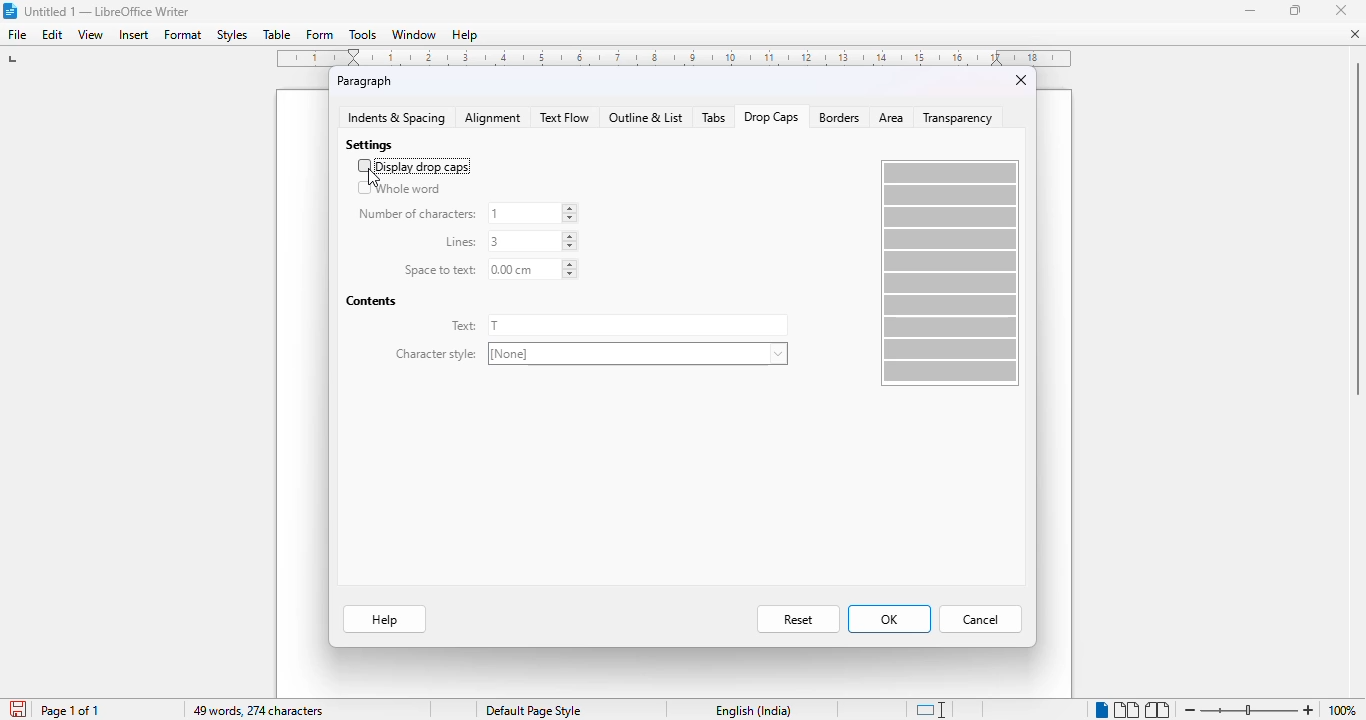 The height and width of the screenshot is (720, 1366). Describe the element at coordinates (18, 709) in the screenshot. I see `click to save document` at that location.